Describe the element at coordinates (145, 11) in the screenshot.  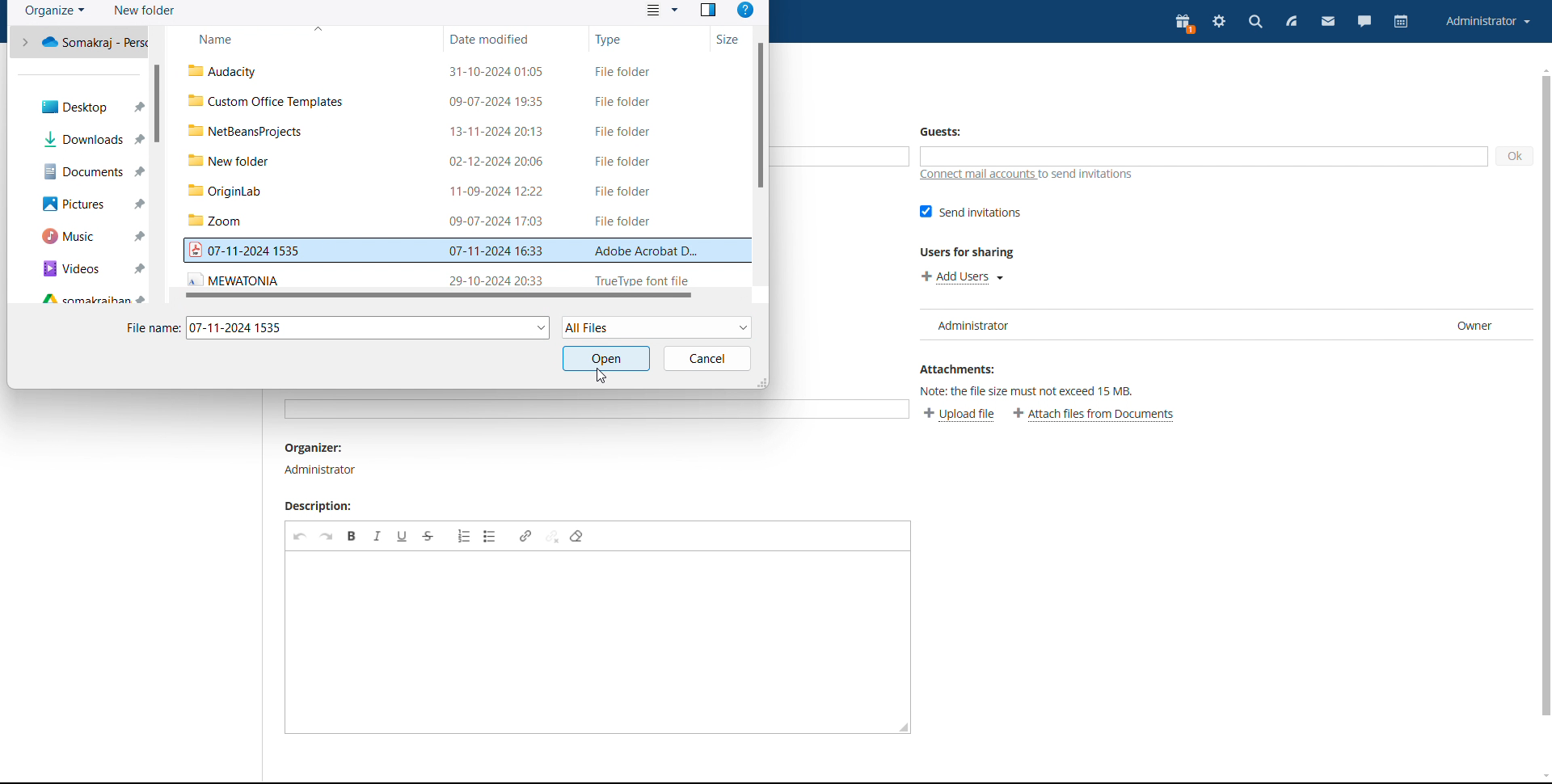
I see `new folder` at that location.